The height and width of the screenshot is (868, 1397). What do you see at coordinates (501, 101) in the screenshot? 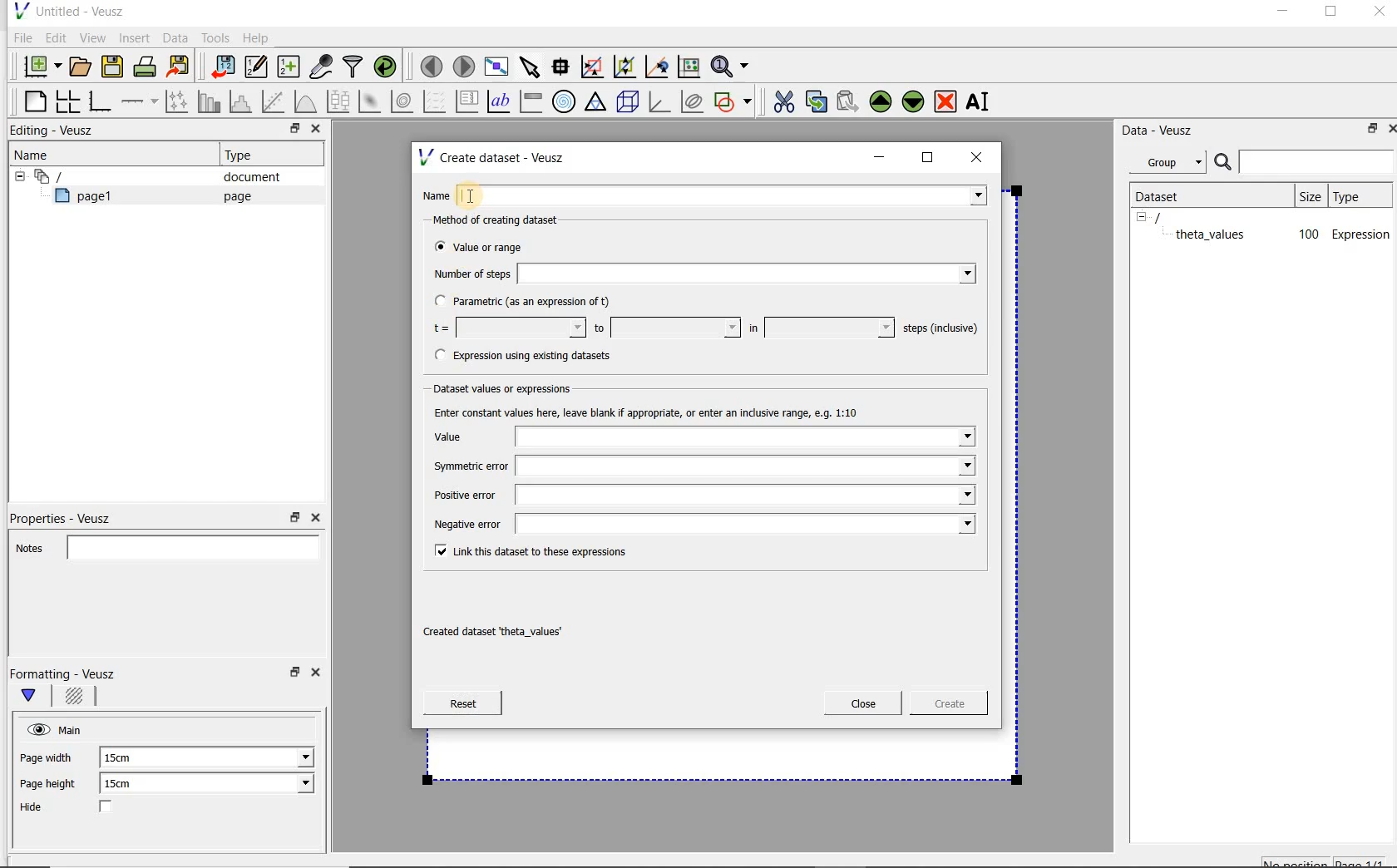
I see `text label` at bounding box center [501, 101].